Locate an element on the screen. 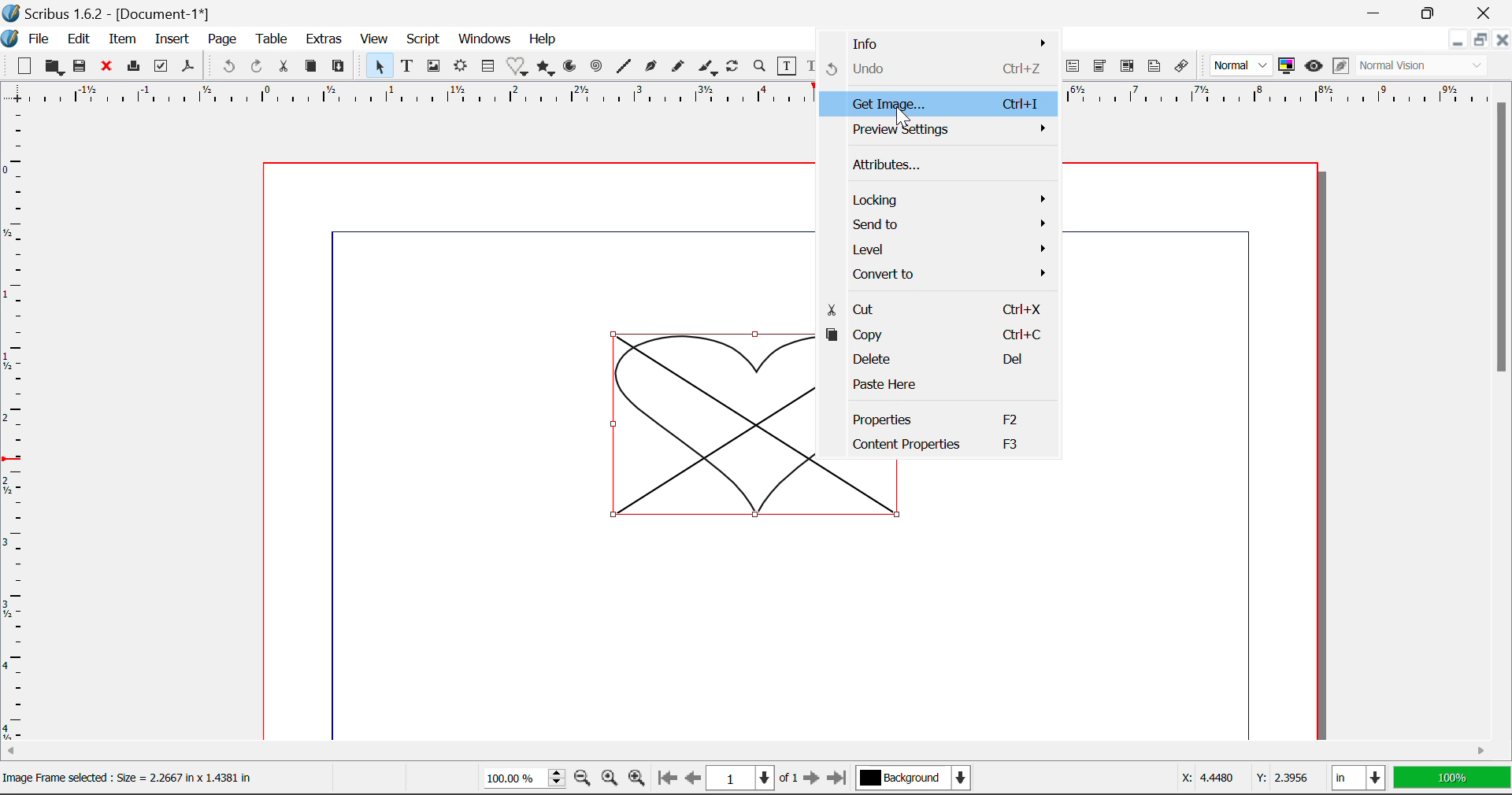 The width and height of the screenshot is (1512, 795). Image Frame selected : Size = 2.2667 in x 1.4381 in is located at coordinates (129, 778).